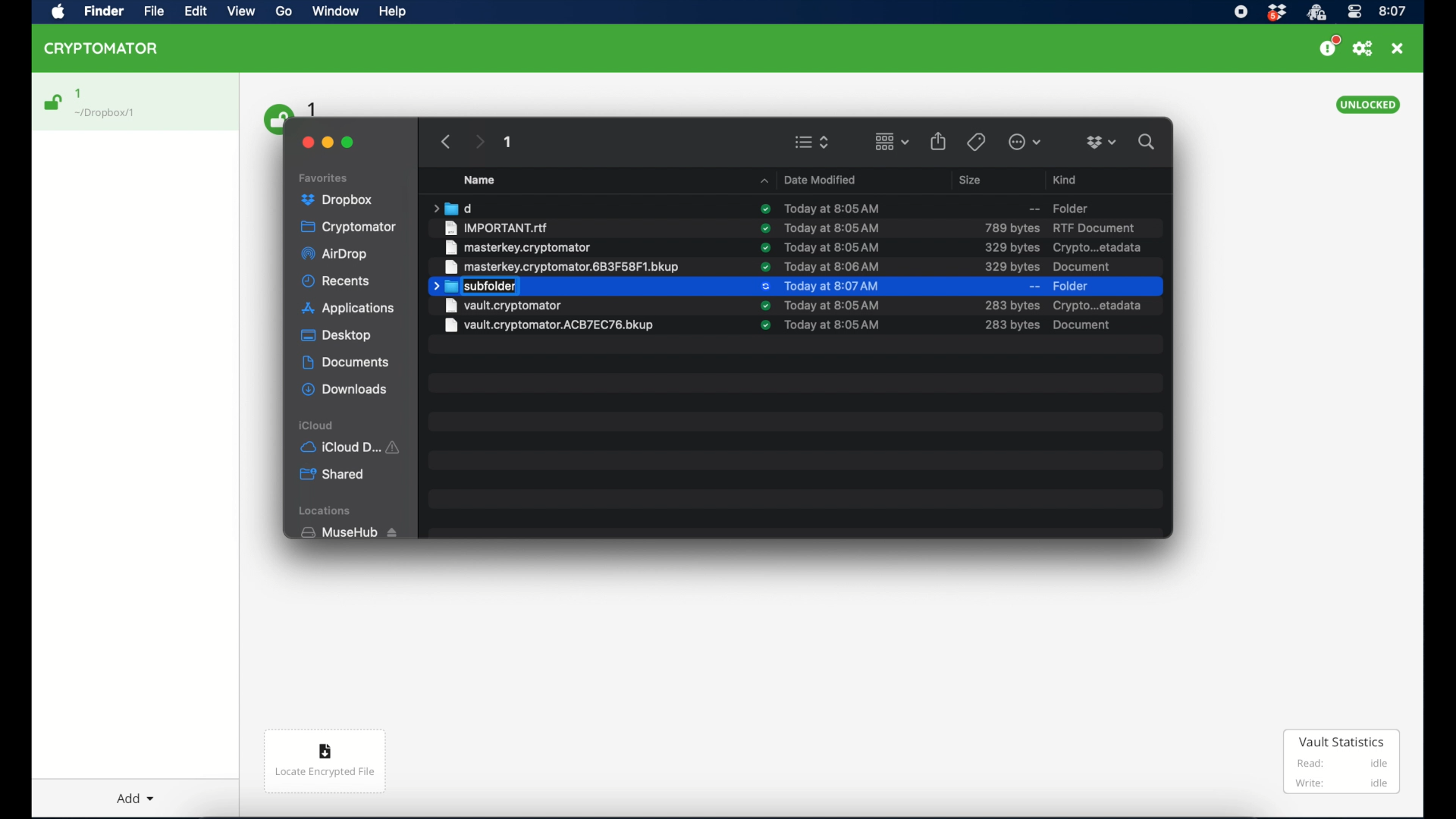 The image size is (1456, 819). I want to click on document, so click(1100, 305).